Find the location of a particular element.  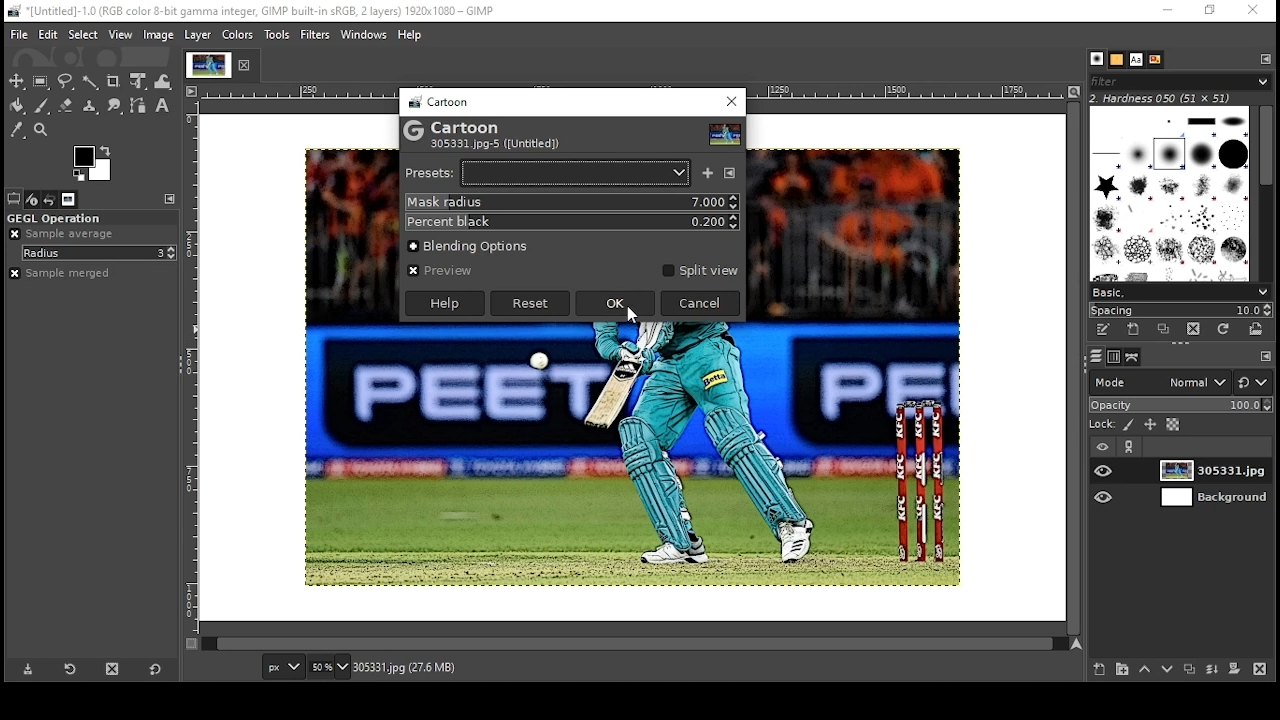

refresh brushes is located at coordinates (1225, 329).